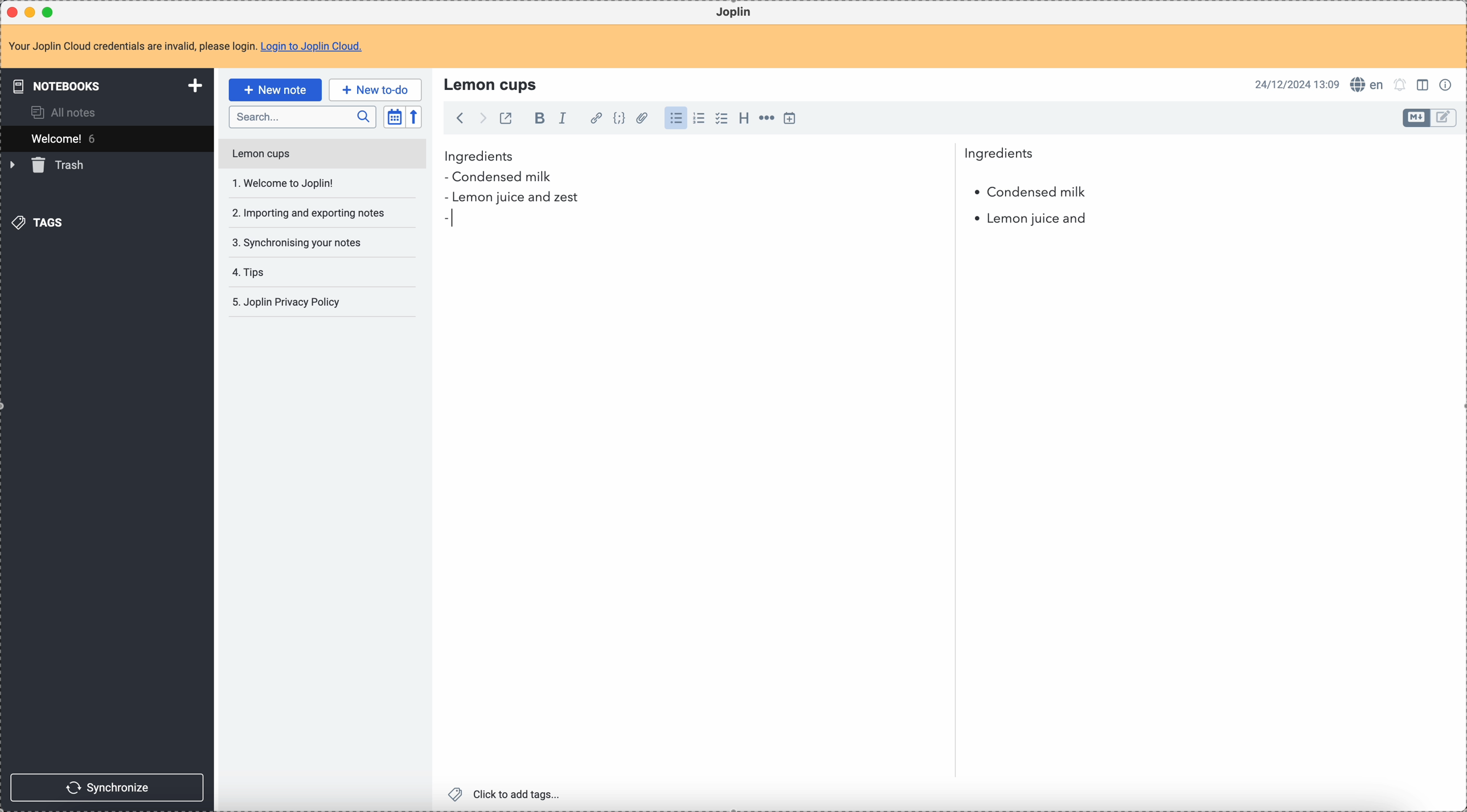  What do you see at coordinates (296, 241) in the screenshot?
I see `synchronising your notes` at bounding box center [296, 241].